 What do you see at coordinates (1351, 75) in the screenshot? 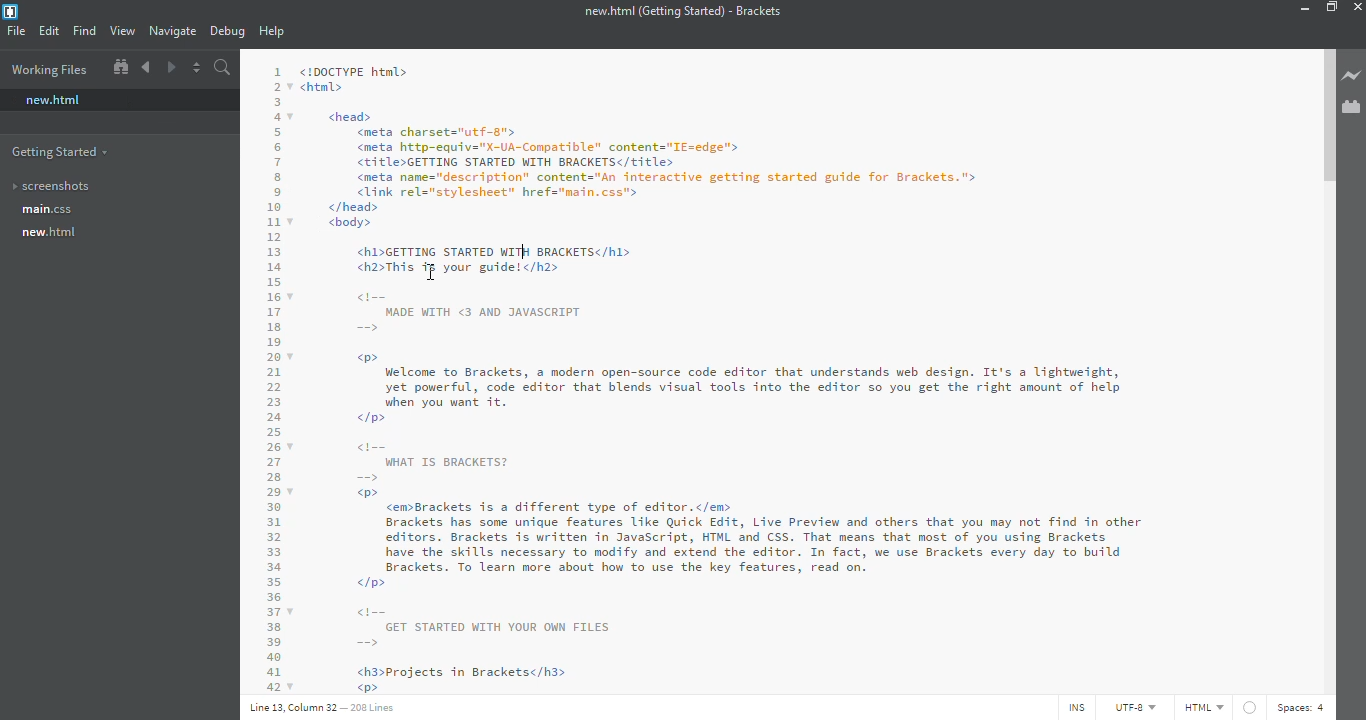
I see `live preview` at bounding box center [1351, 75].